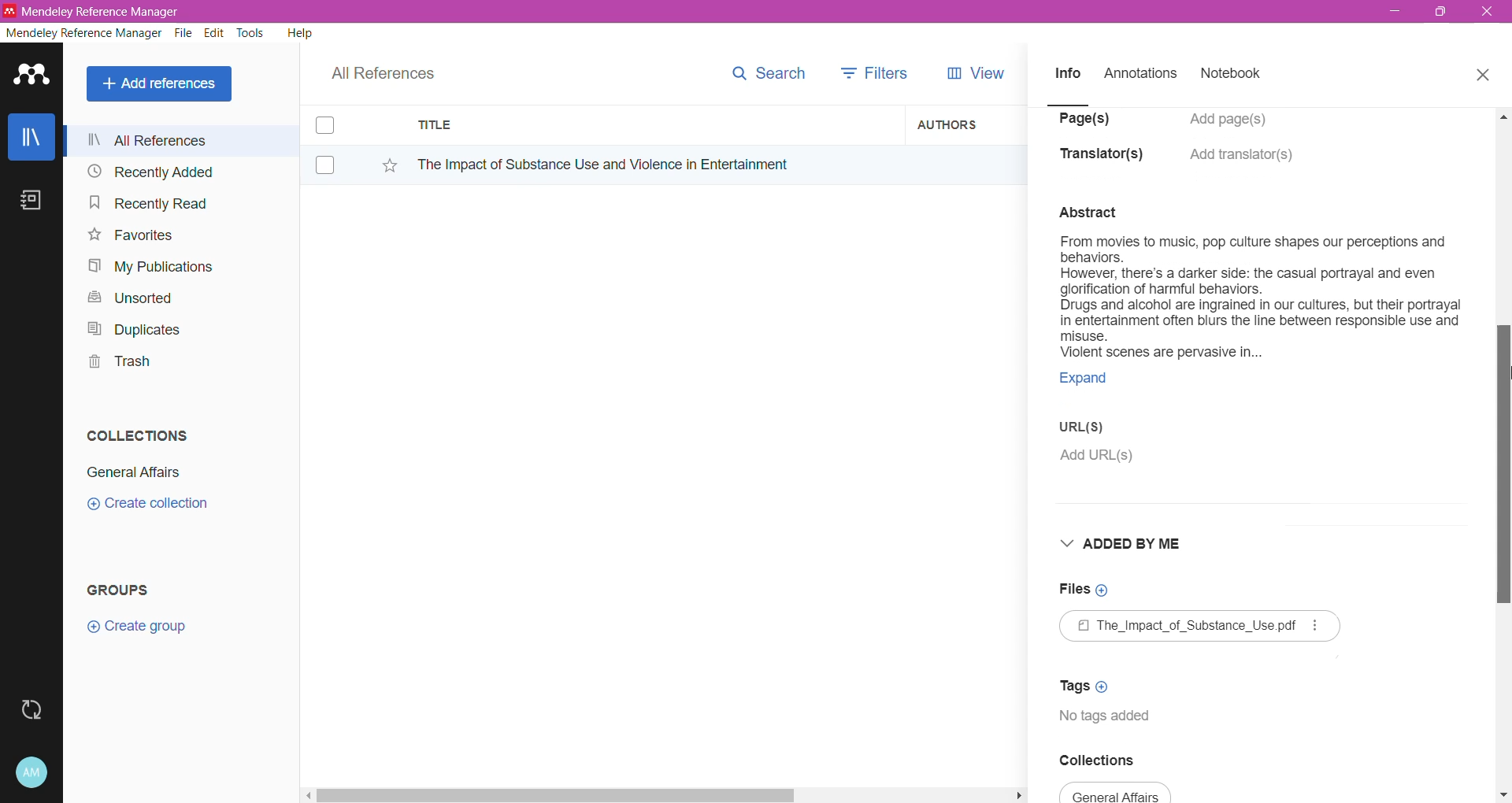 Image resolution: width=1512 pixels, height=803 pixels. Describe the element at coordinates (664, 793) in the screenshot. I see `scroll bar` at that location.